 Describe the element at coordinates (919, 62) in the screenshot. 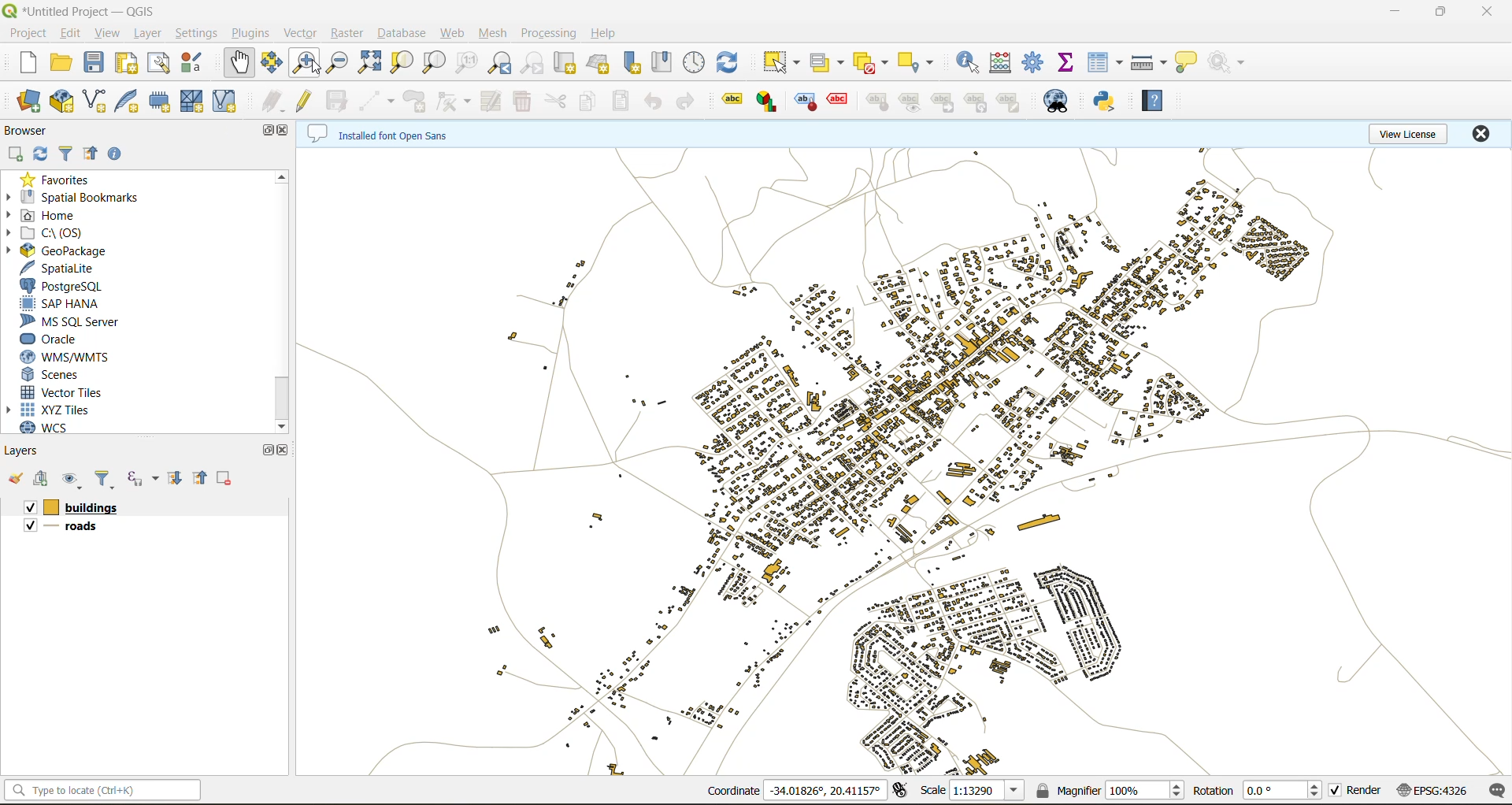

I see `select location` at that location.